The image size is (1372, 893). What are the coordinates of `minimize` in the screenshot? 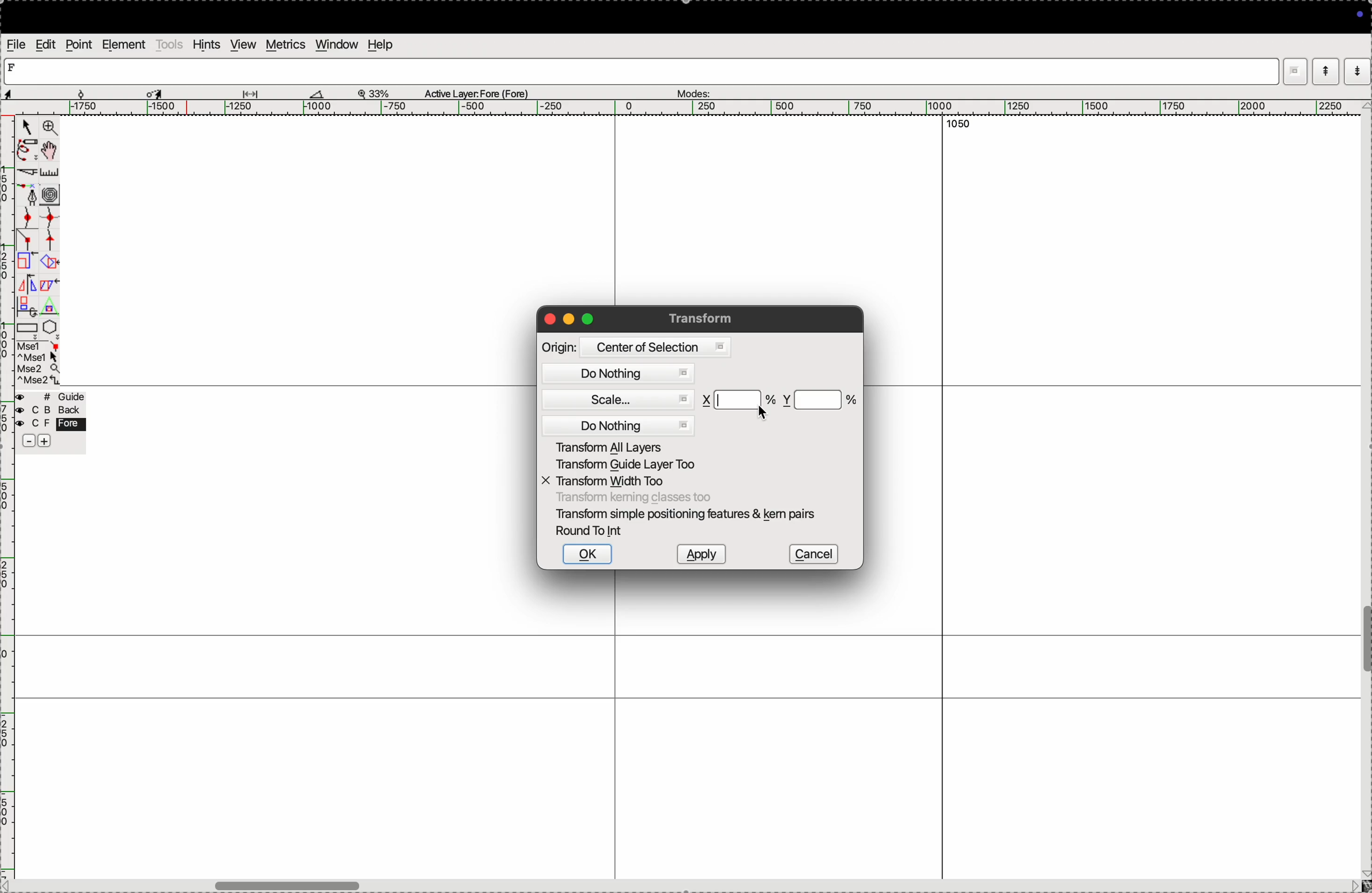 It's located at (570, 320).